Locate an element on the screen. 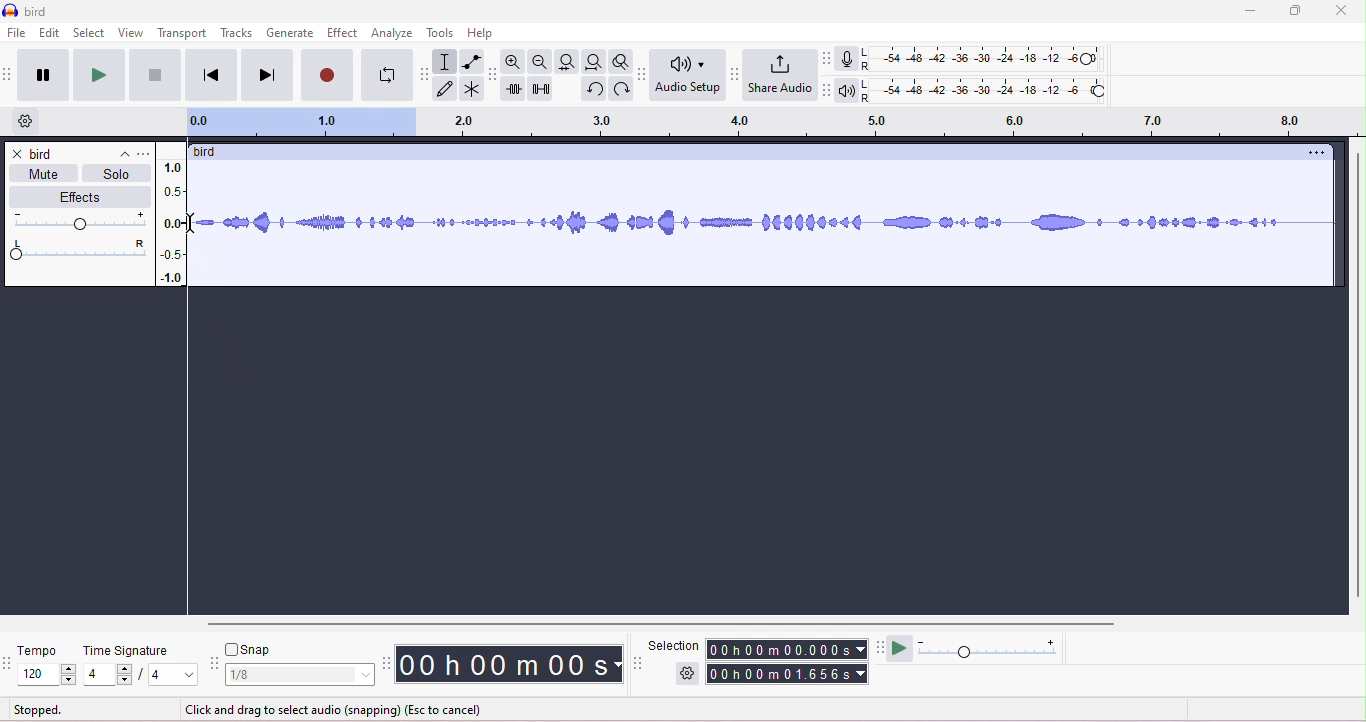 This screenshot has width=1366, height=722. click and drag to select audio (snapping) (Esc to cancel) is located at coordinates (327, 710).